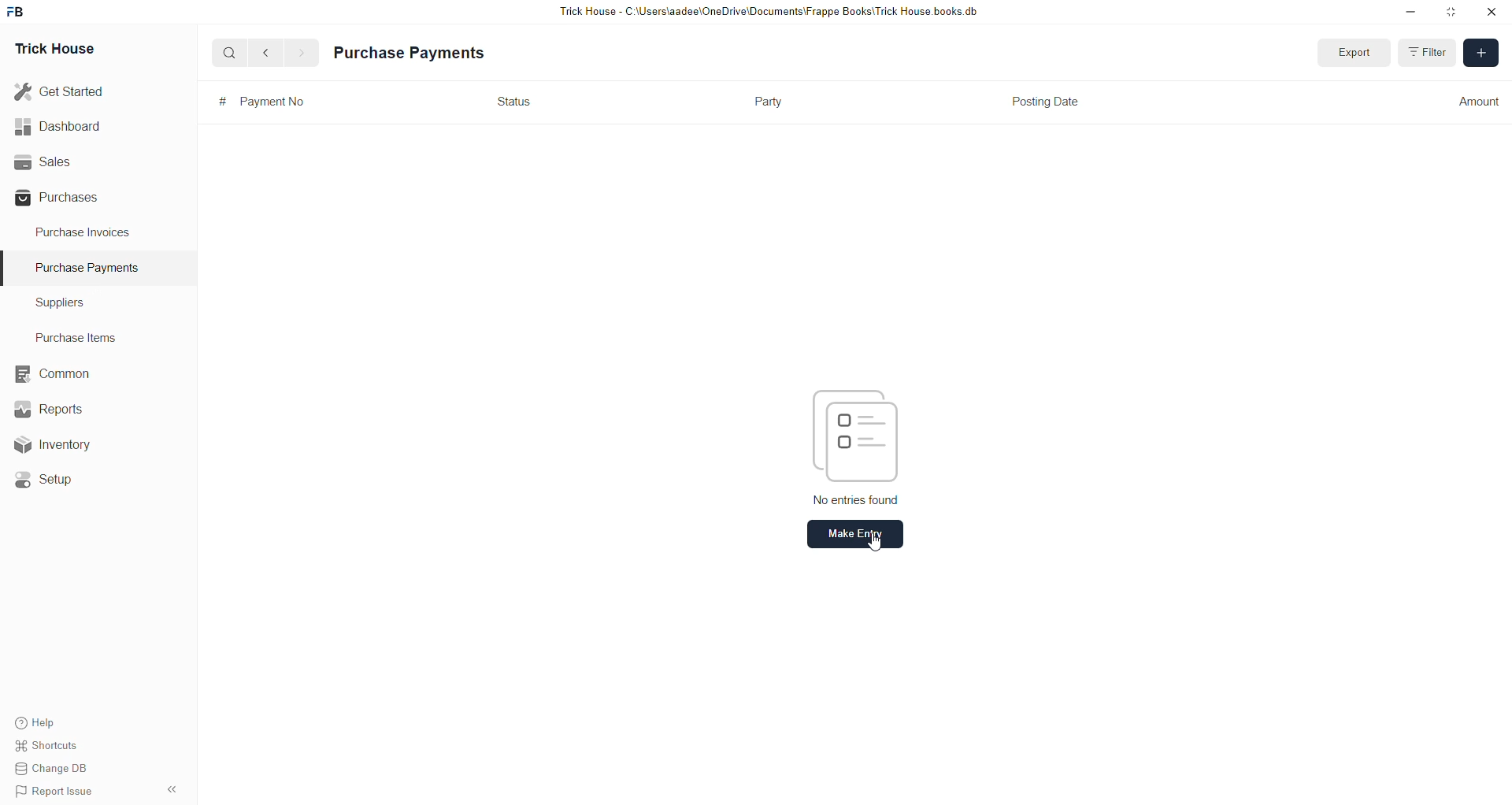 The height and width of the screenshot is (805, 1512). Describe the element at coordinates (1410, 13) in the screenshot. I see `Minimize` at that location.